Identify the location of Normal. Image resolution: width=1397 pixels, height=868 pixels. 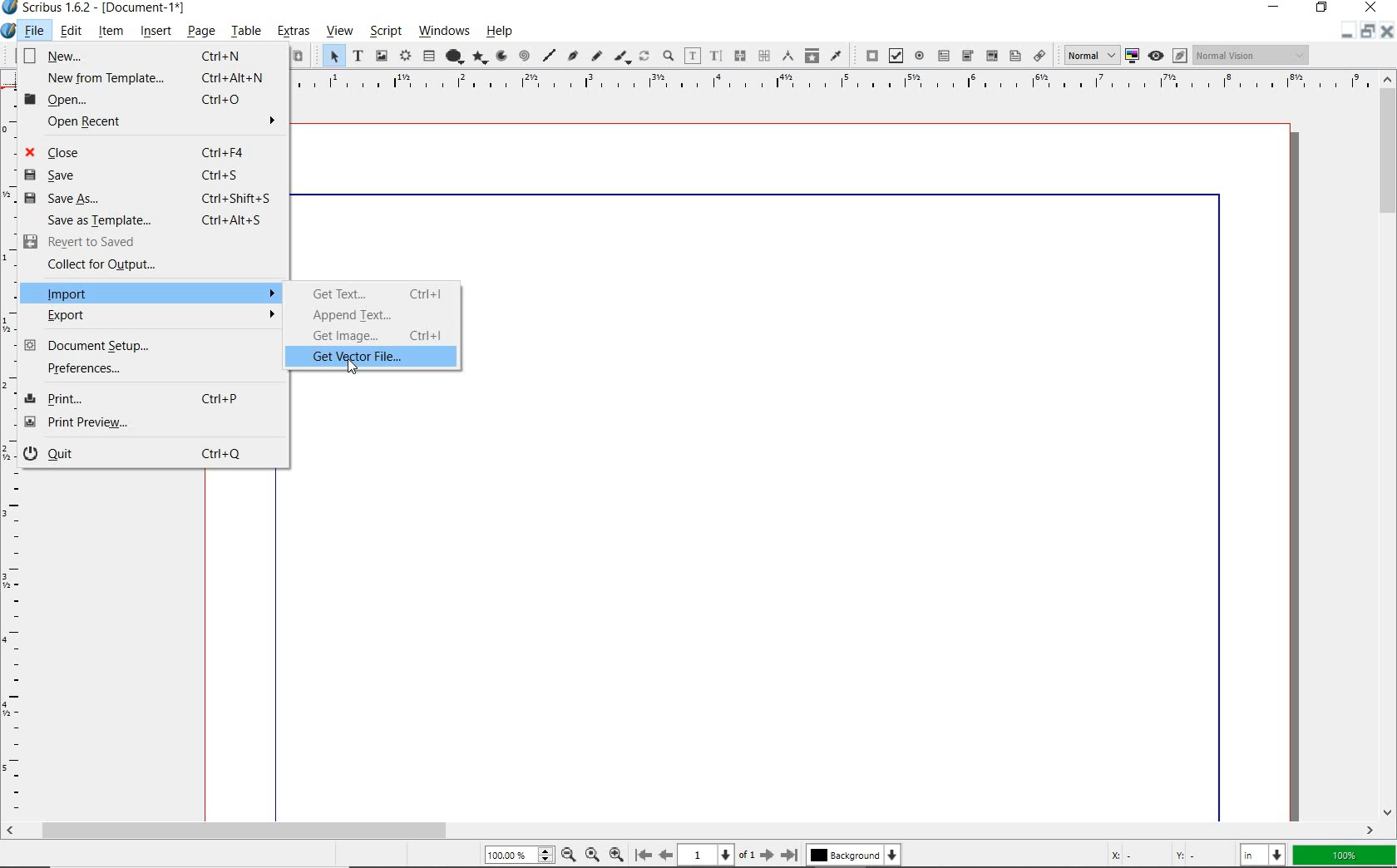
(1087, 55).